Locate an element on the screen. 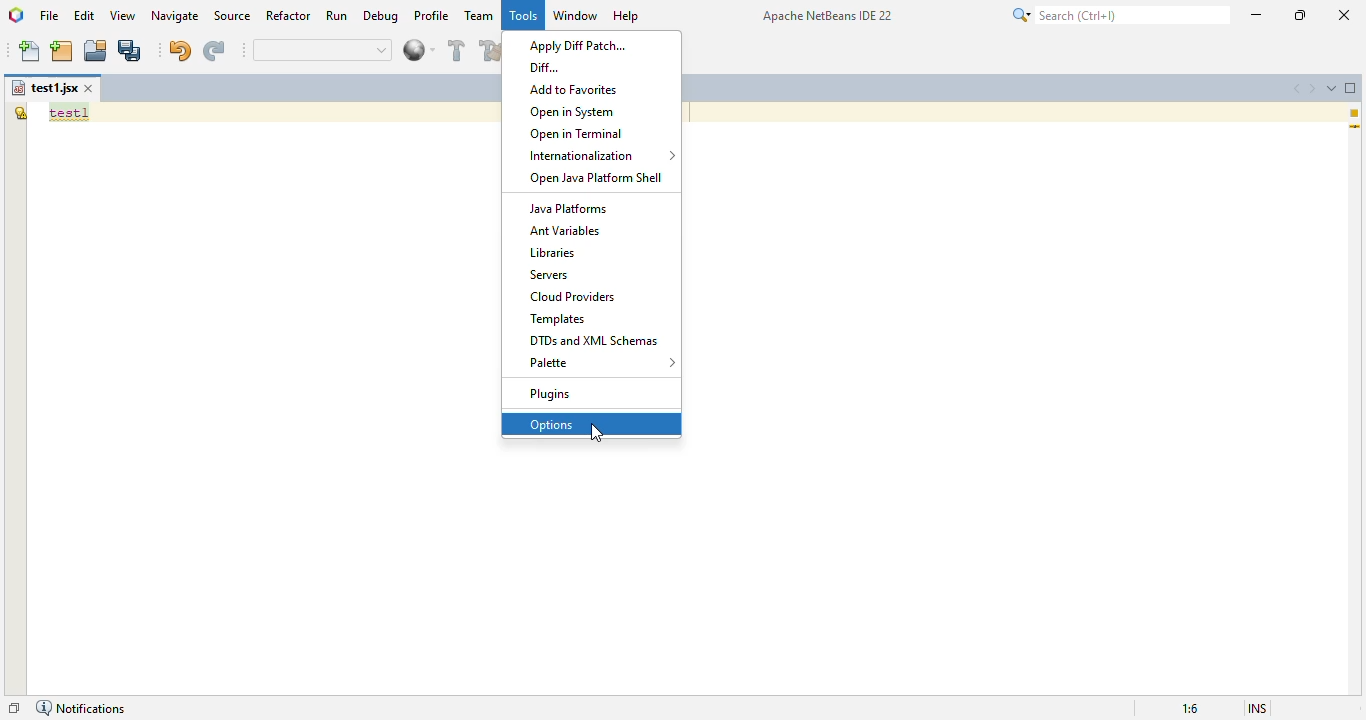 The width and height of the screenshot is (1366, 720). show opened documents list is located at coordinates (1332, 86).